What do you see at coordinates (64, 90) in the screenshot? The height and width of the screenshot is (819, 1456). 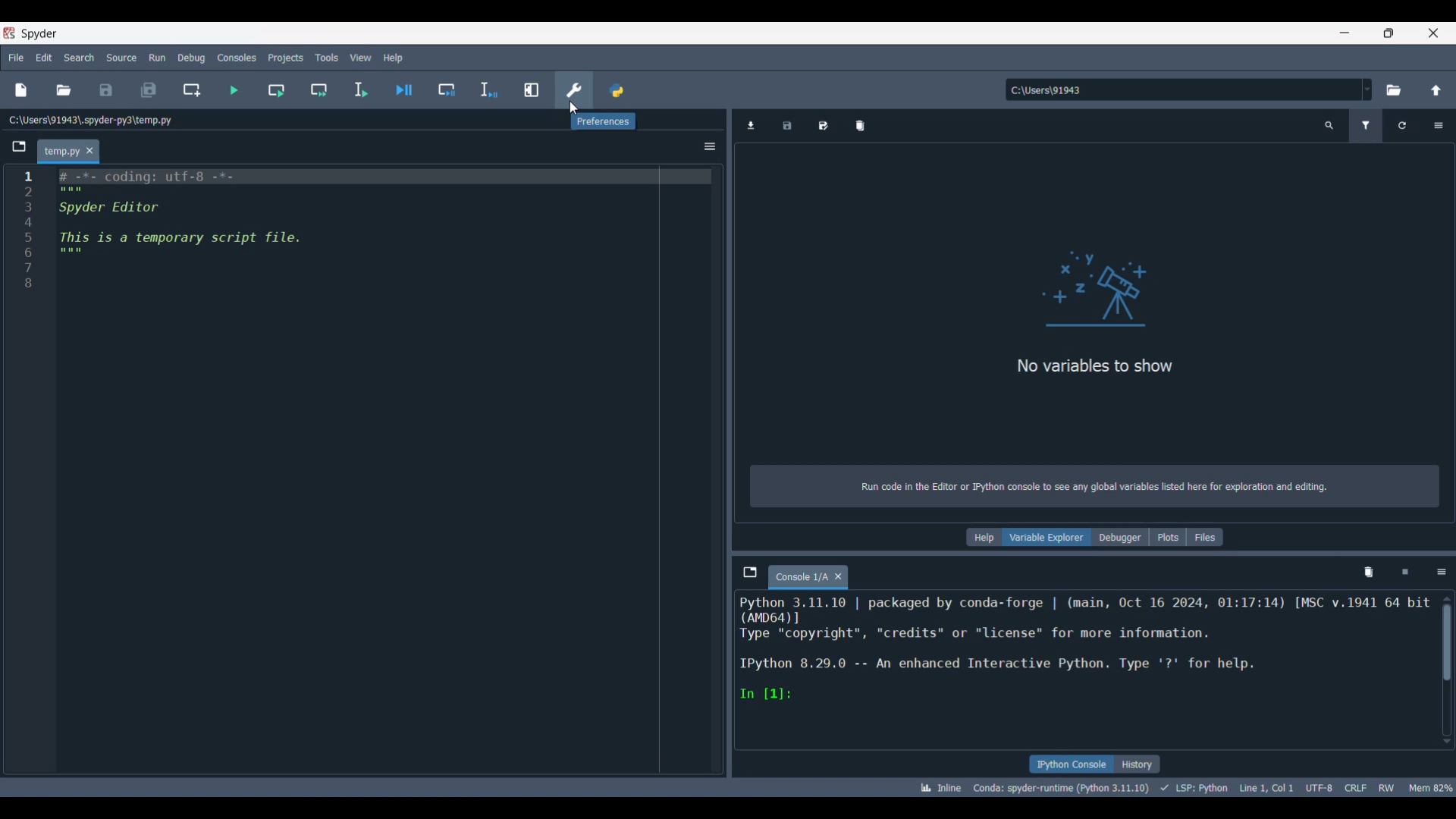 I see `Open file` at bounding box center [64, 90].